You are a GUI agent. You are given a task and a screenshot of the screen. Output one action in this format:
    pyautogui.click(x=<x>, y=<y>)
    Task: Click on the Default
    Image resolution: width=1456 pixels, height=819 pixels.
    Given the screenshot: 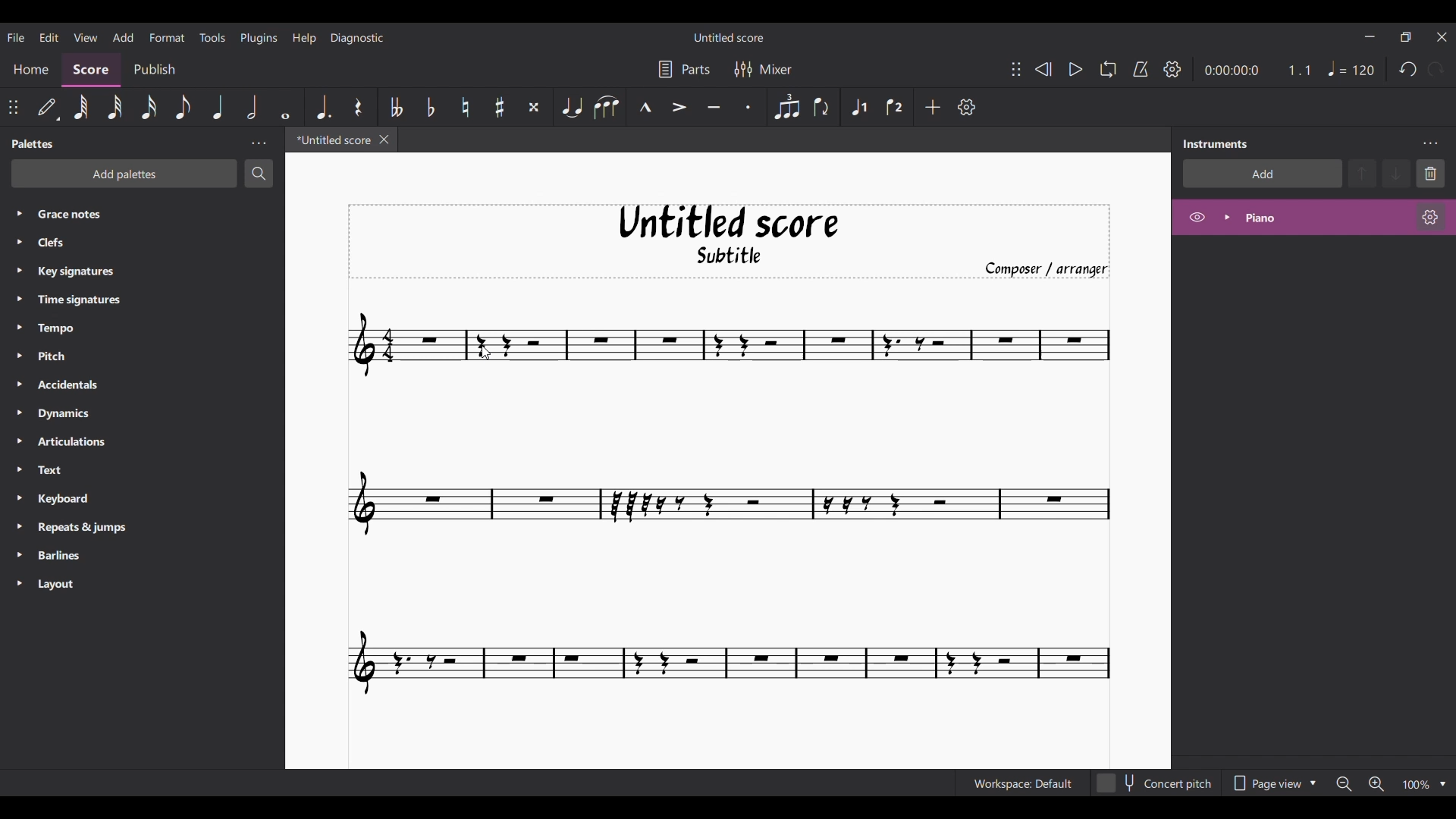 What is the action you would take?
    pyautogui.click(x=48, y=106)
    